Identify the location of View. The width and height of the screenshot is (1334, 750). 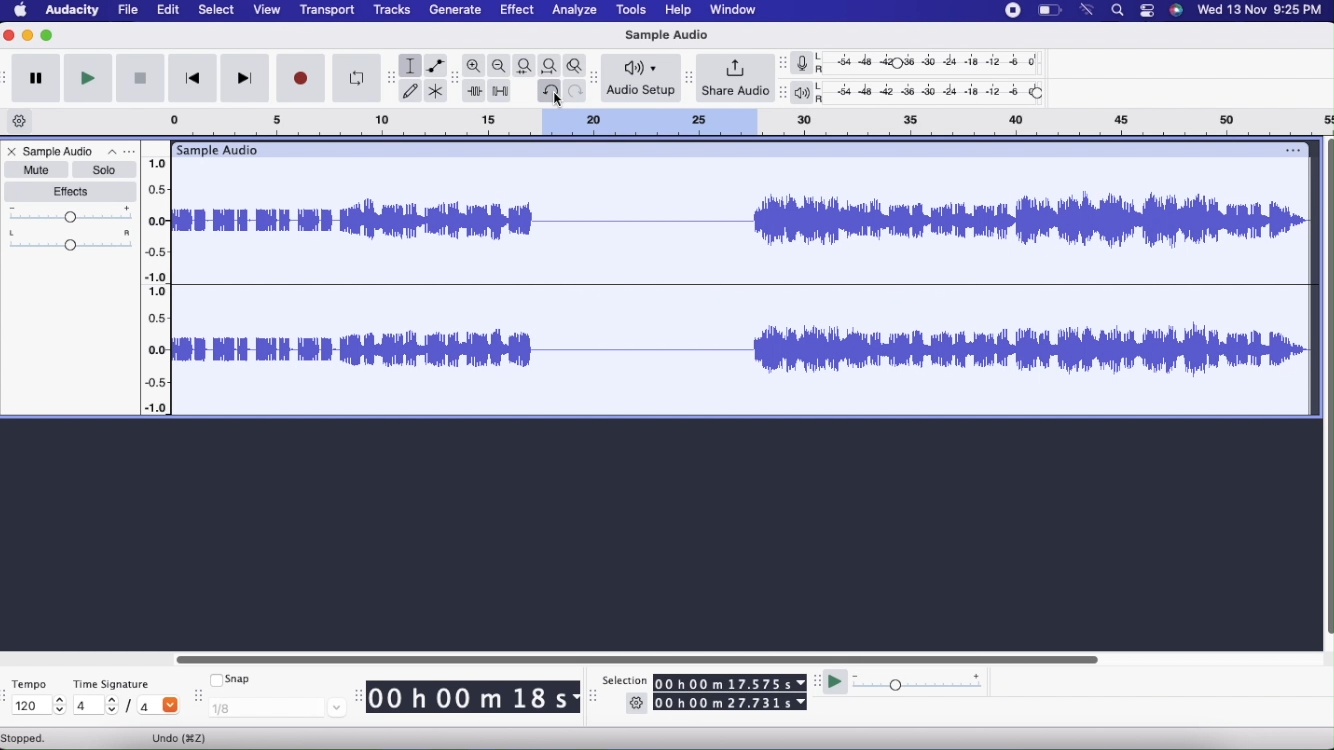
(266, 9).